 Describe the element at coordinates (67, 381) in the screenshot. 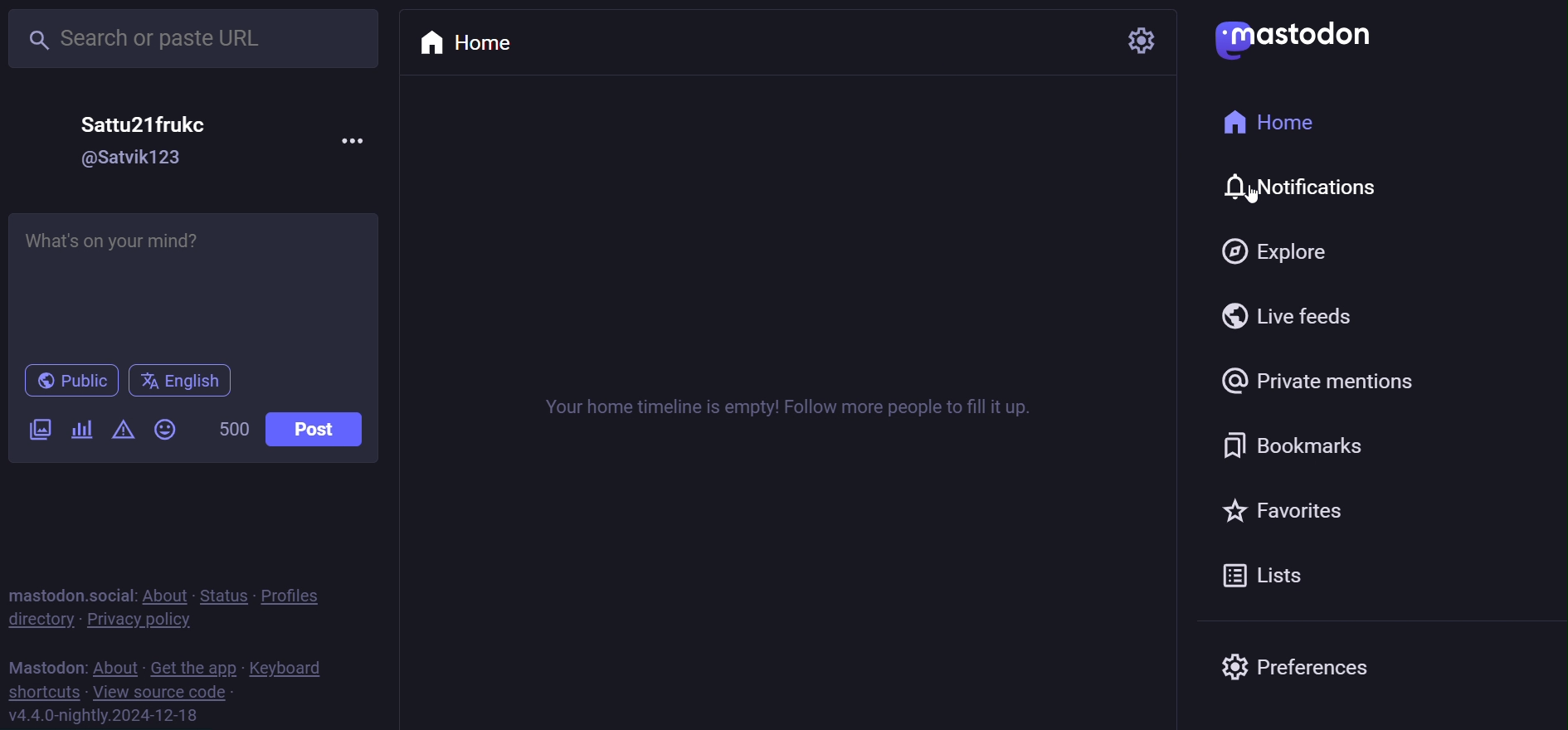

I see `public` at that location.